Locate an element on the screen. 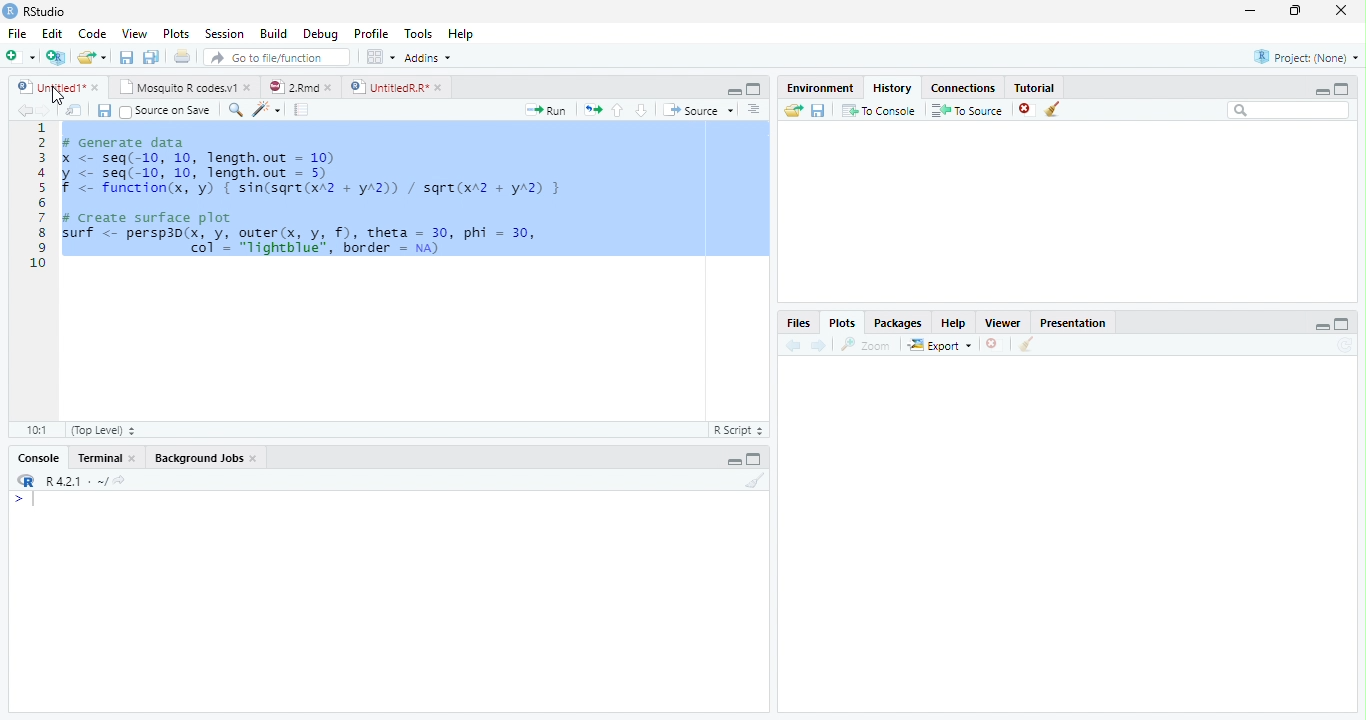 The width and height of the screenshot is (1366, 720). 2.Rmd is located at coordinates (292, 86).